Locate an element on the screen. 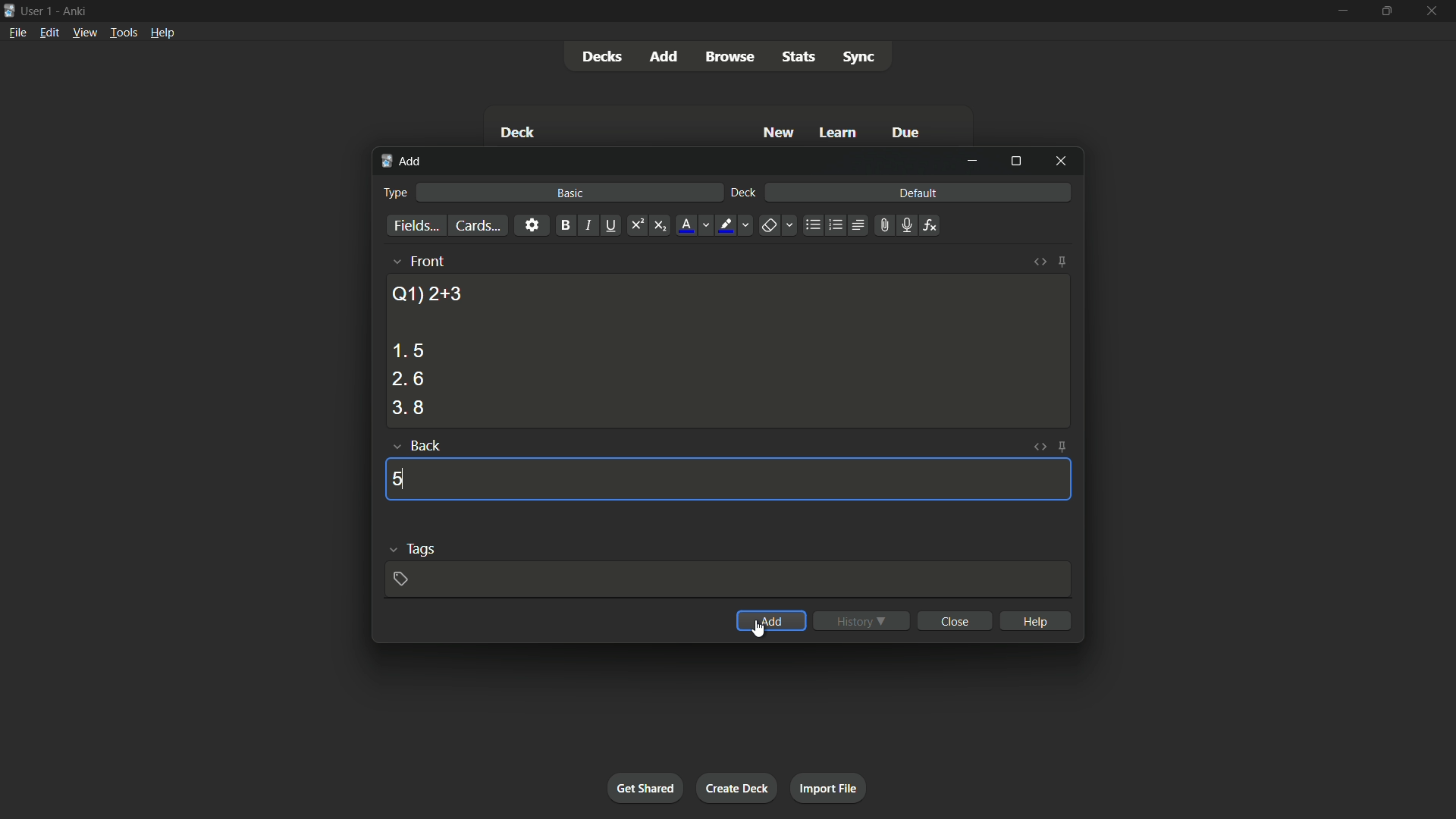  option 3 is located at coordinates (409, 408).